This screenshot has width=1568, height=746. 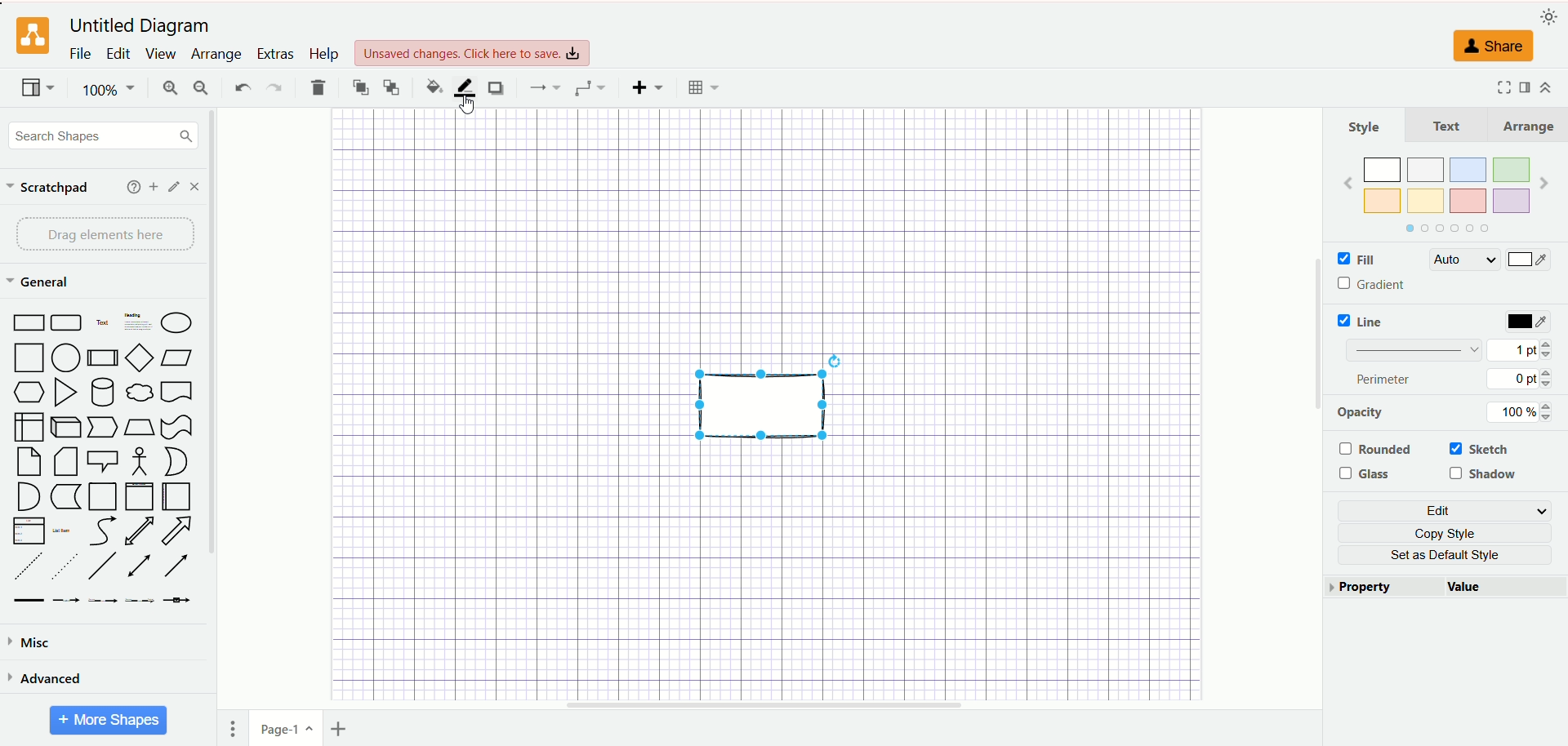 What do you see at coordinates (1355, 259) in the screenshot?
I see `fill` at bounding box center [1355, 259].